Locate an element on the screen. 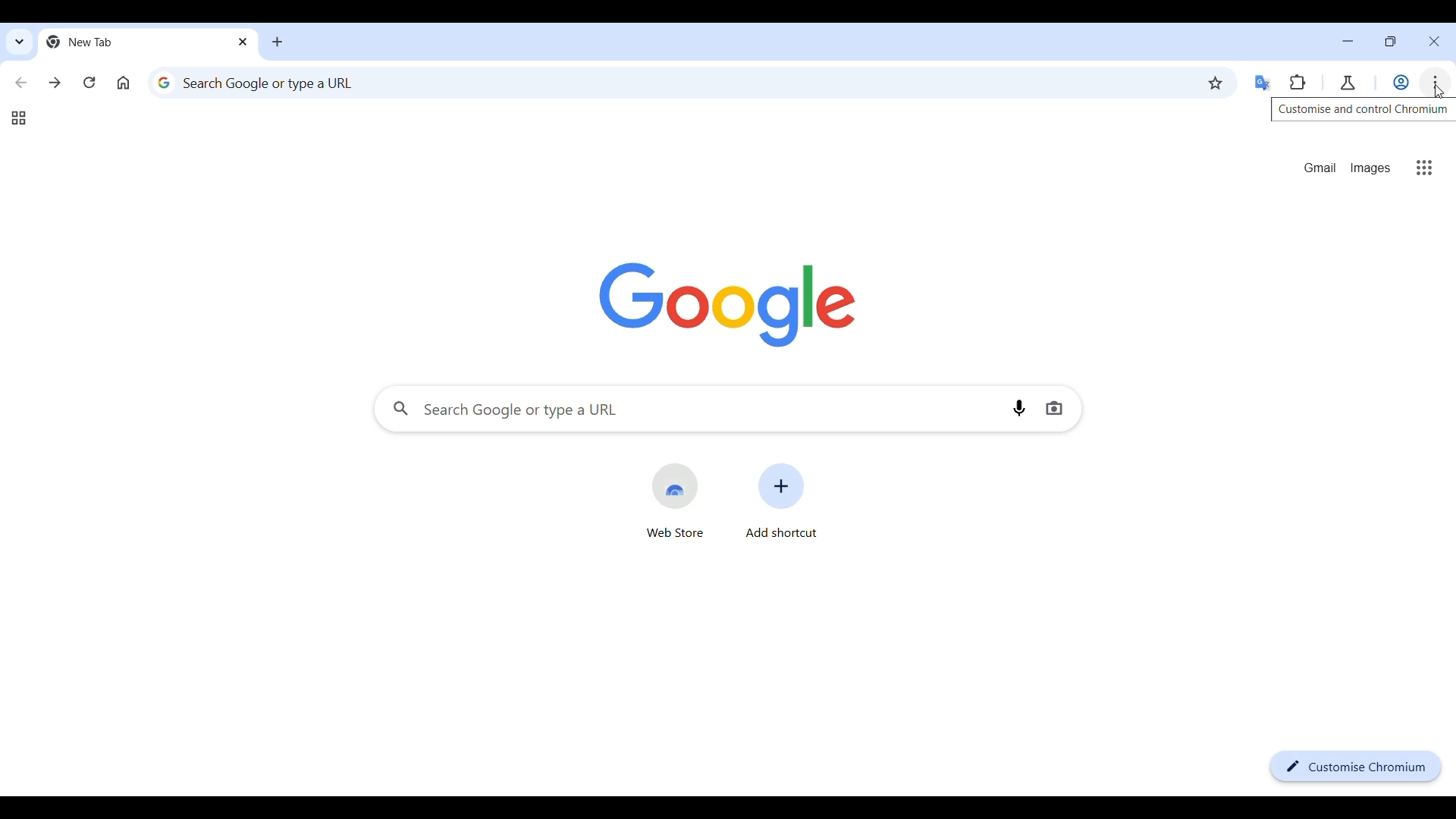 The image size is (1456, 819). Minimize is located at coordinates (1348, 41).